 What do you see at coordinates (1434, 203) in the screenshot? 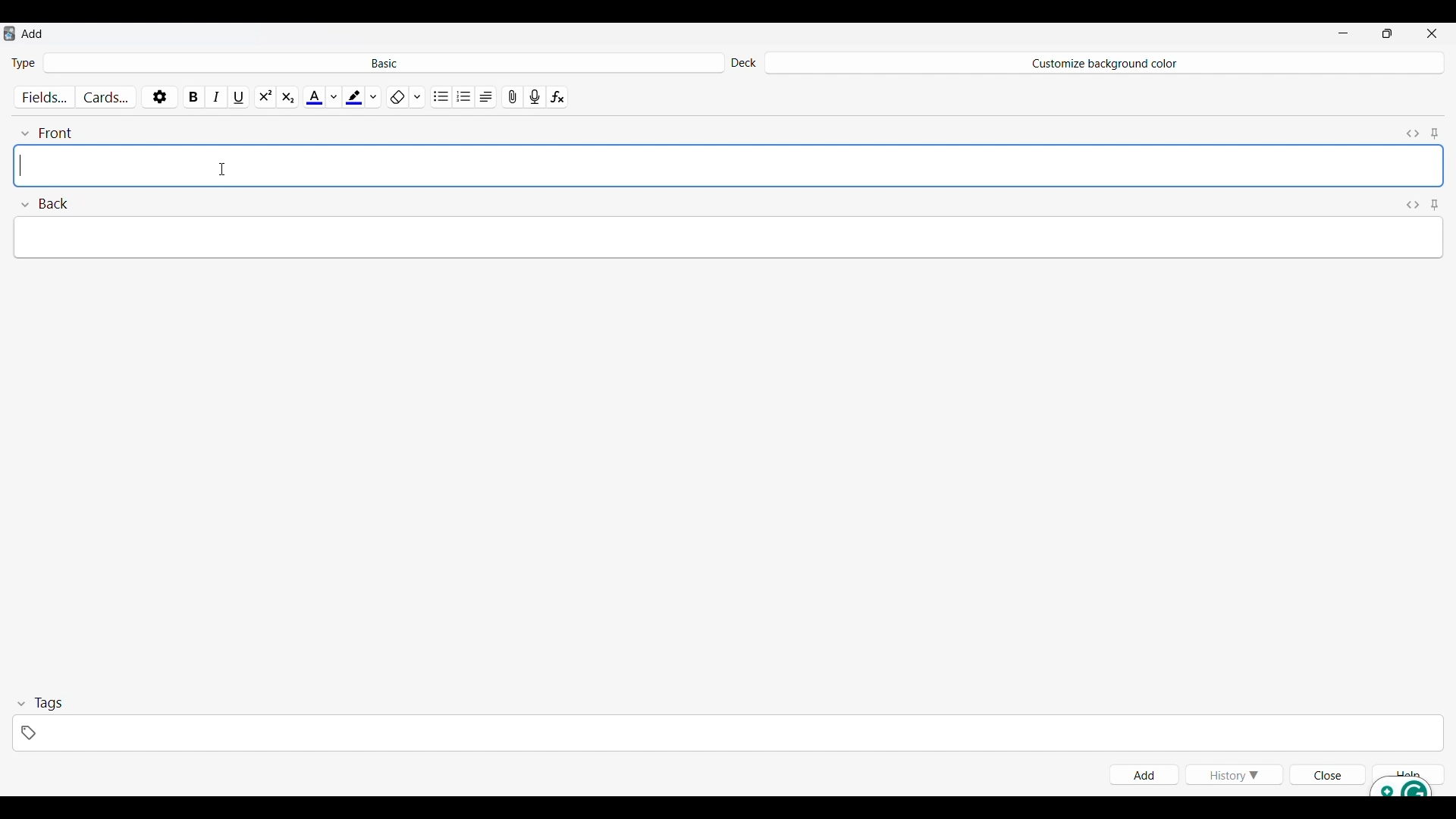
I see `Toggle sticky` at bounding box center [1434, 203].